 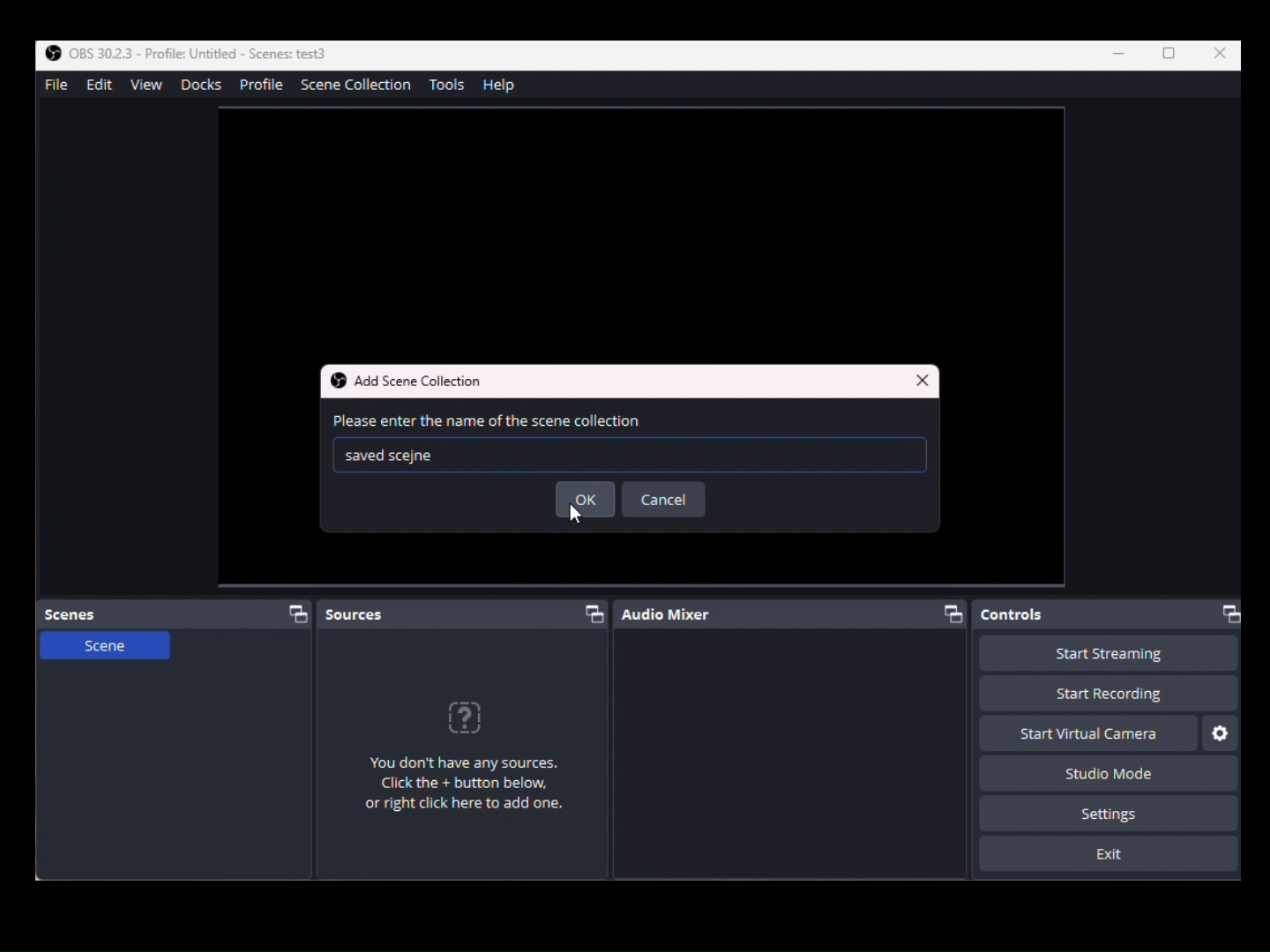 What do you see at coordinates (1170, 55) in the screenshot?
I see `Box` at bounding box center [1170, 55].